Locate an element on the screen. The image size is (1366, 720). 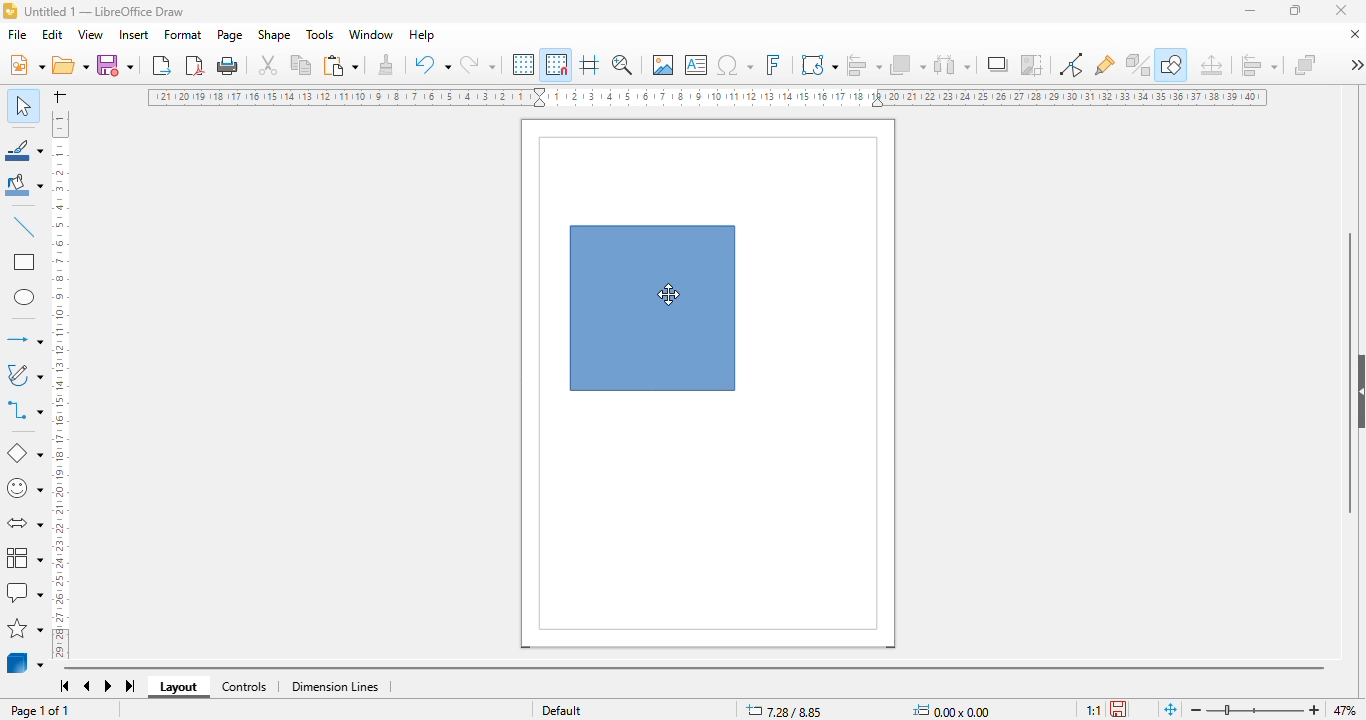
print is located at coordinates (227, 66).